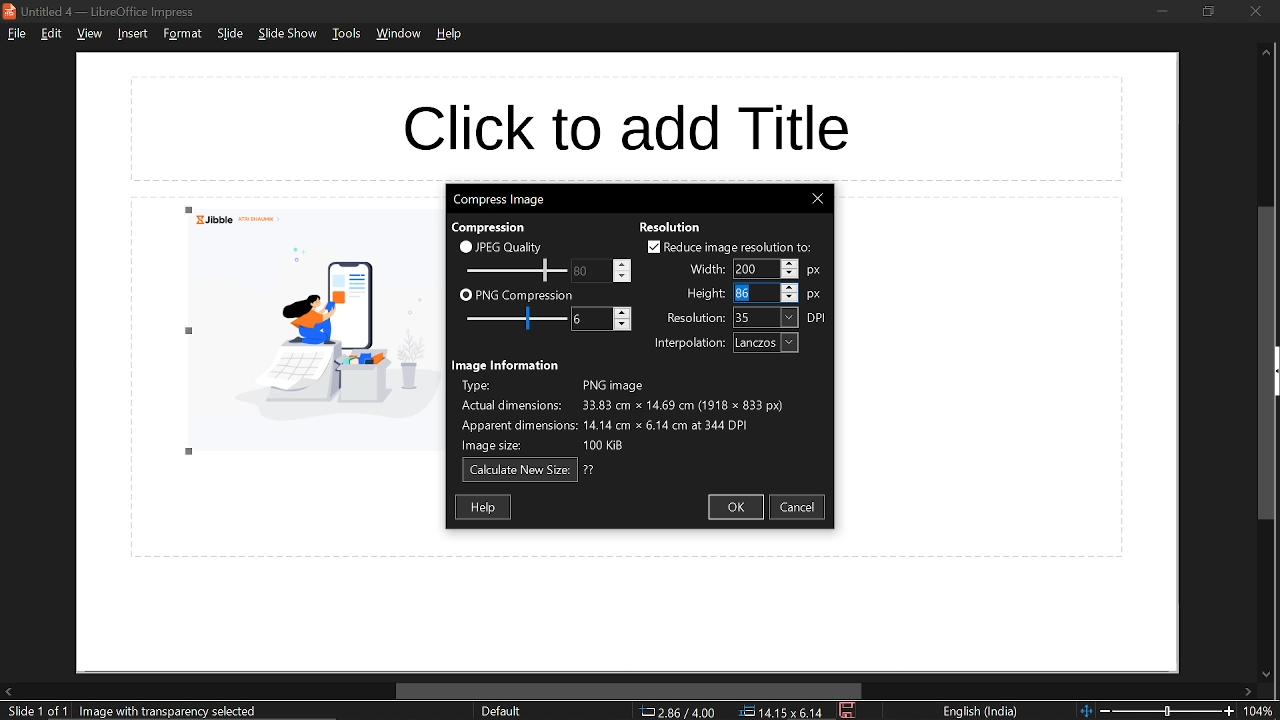 Image resolution: width=1280 pixels, height=720 pixels. What do you see at coordinates (626, 128) in the screenshot?
I see `space for title` at bounding box center [626, 128].